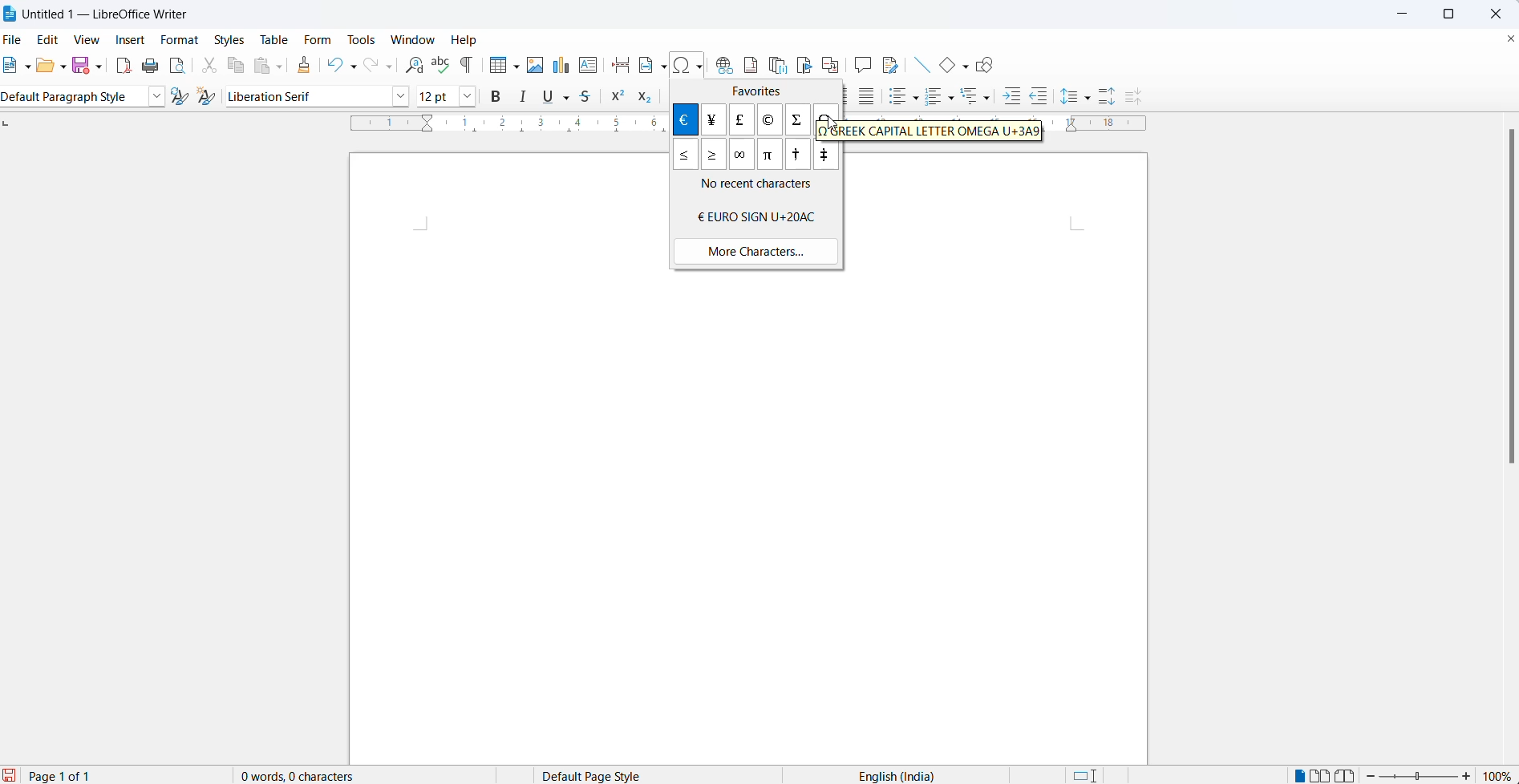 The height and width of the screenshot is (784, 1519). What do you see at coordinates (1042, 95) in the screenshot?
I see `decrease indent` at bounding box center [1042, 95].